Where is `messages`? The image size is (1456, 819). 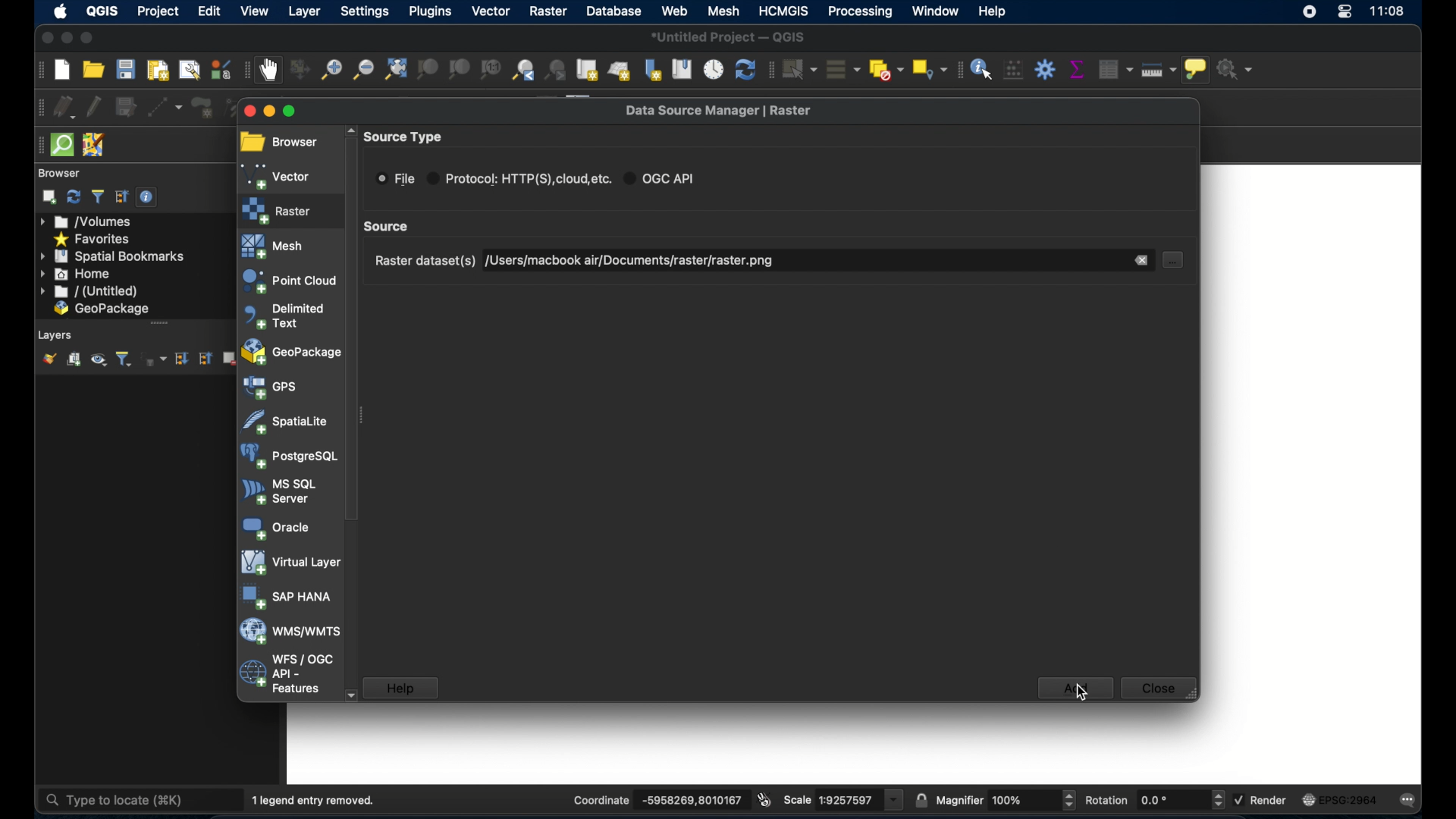 messages is located at coordinates (1412, 799).